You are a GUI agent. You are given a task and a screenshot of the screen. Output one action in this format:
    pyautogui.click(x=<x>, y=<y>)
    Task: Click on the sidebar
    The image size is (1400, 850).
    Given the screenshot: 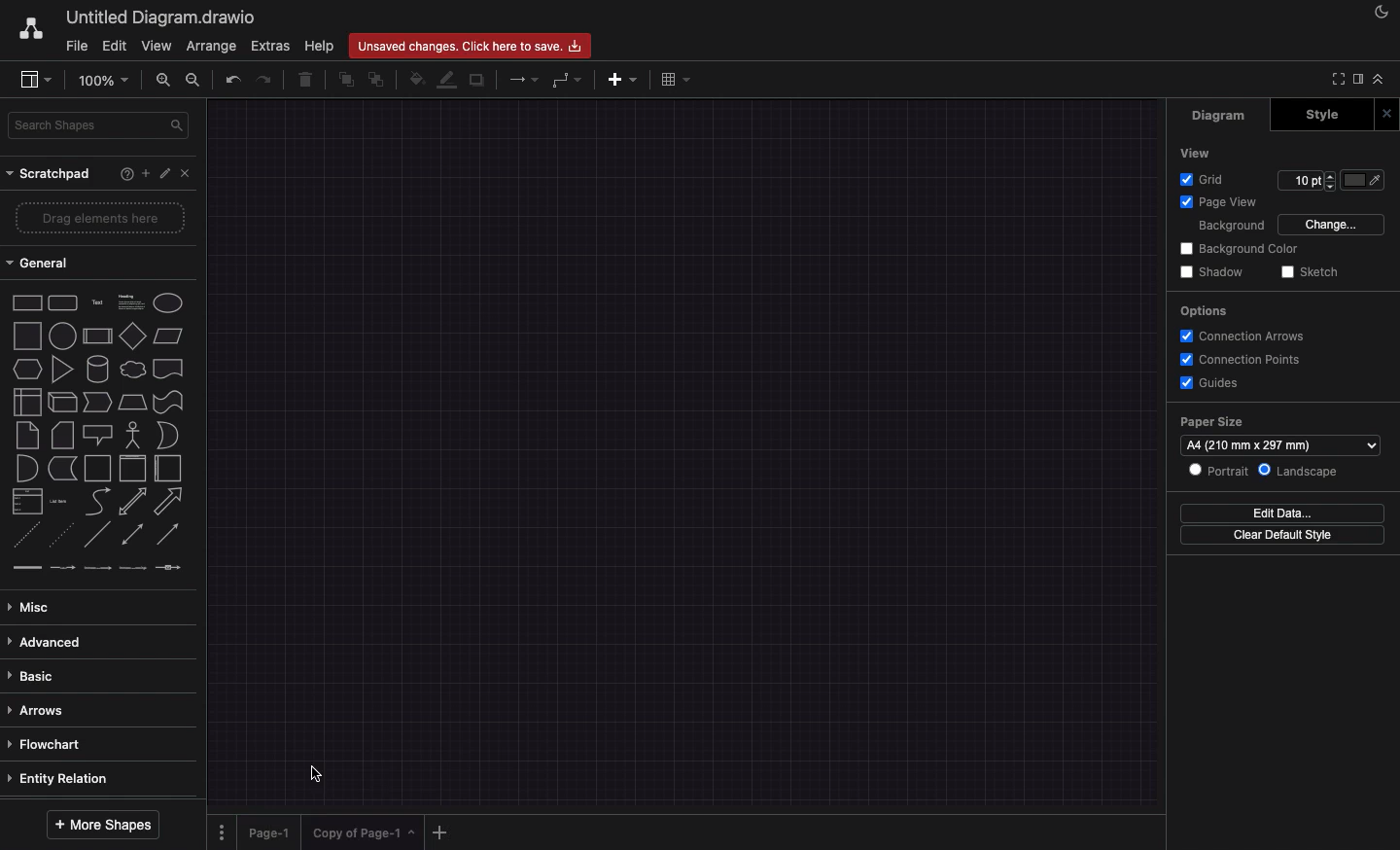 What is the action you would take?
    pyautogui.click(x=1358, y=80)
    